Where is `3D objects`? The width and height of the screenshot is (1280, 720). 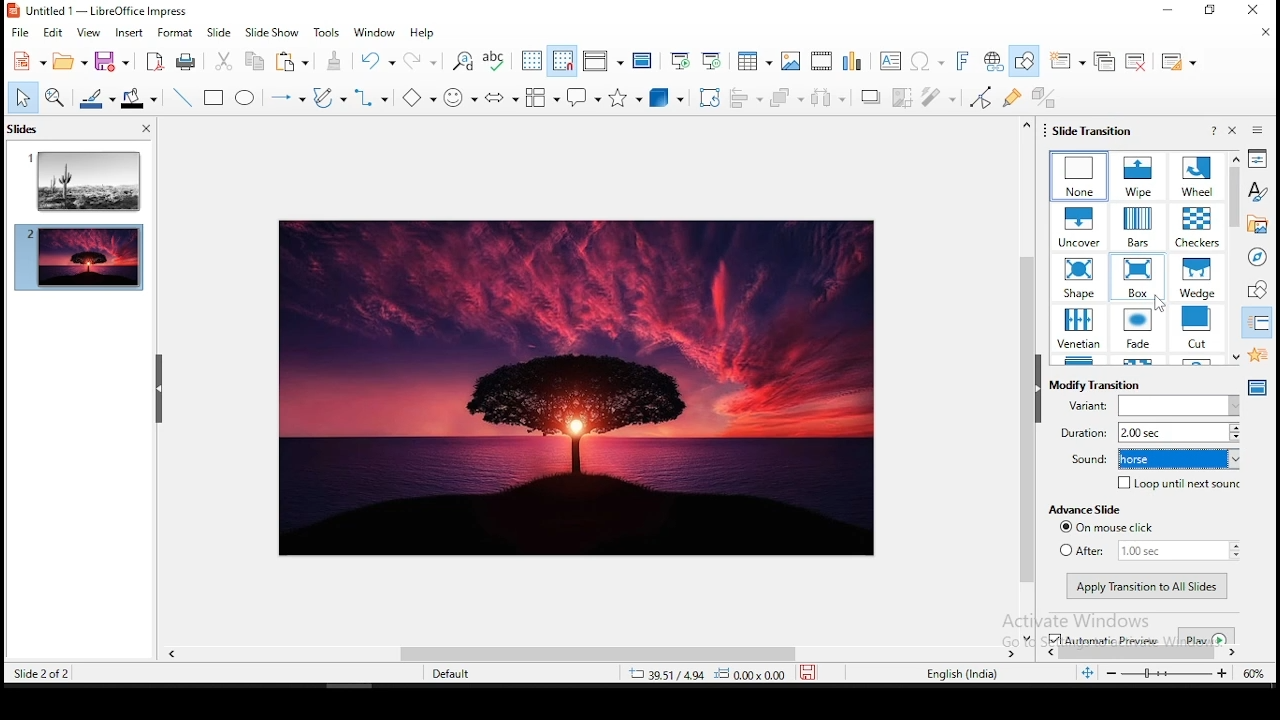 3D objects is located at coordinates (664, 99).